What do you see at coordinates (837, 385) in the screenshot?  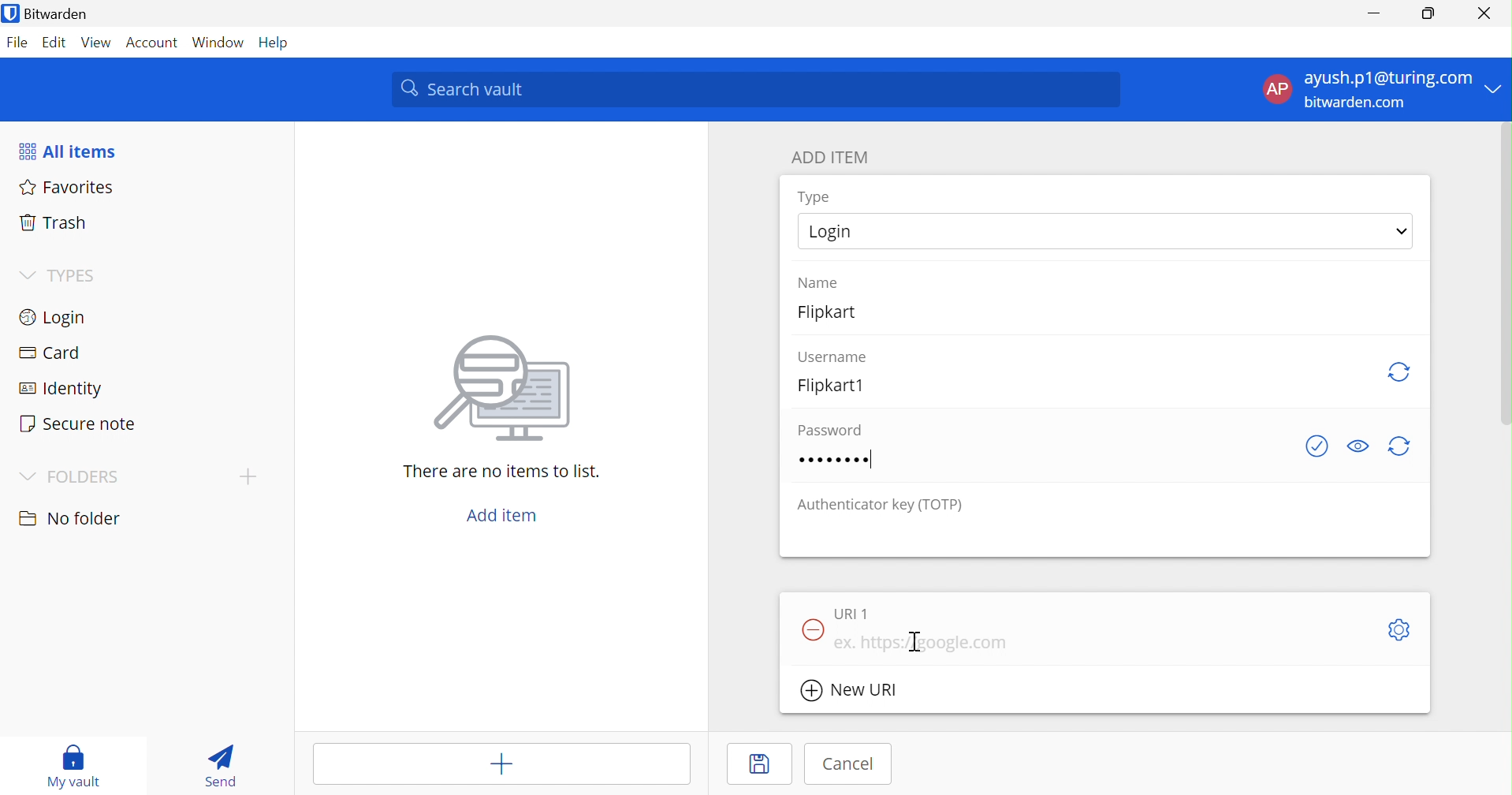 I see `Flipkart1` at bounding box center [837, 385].